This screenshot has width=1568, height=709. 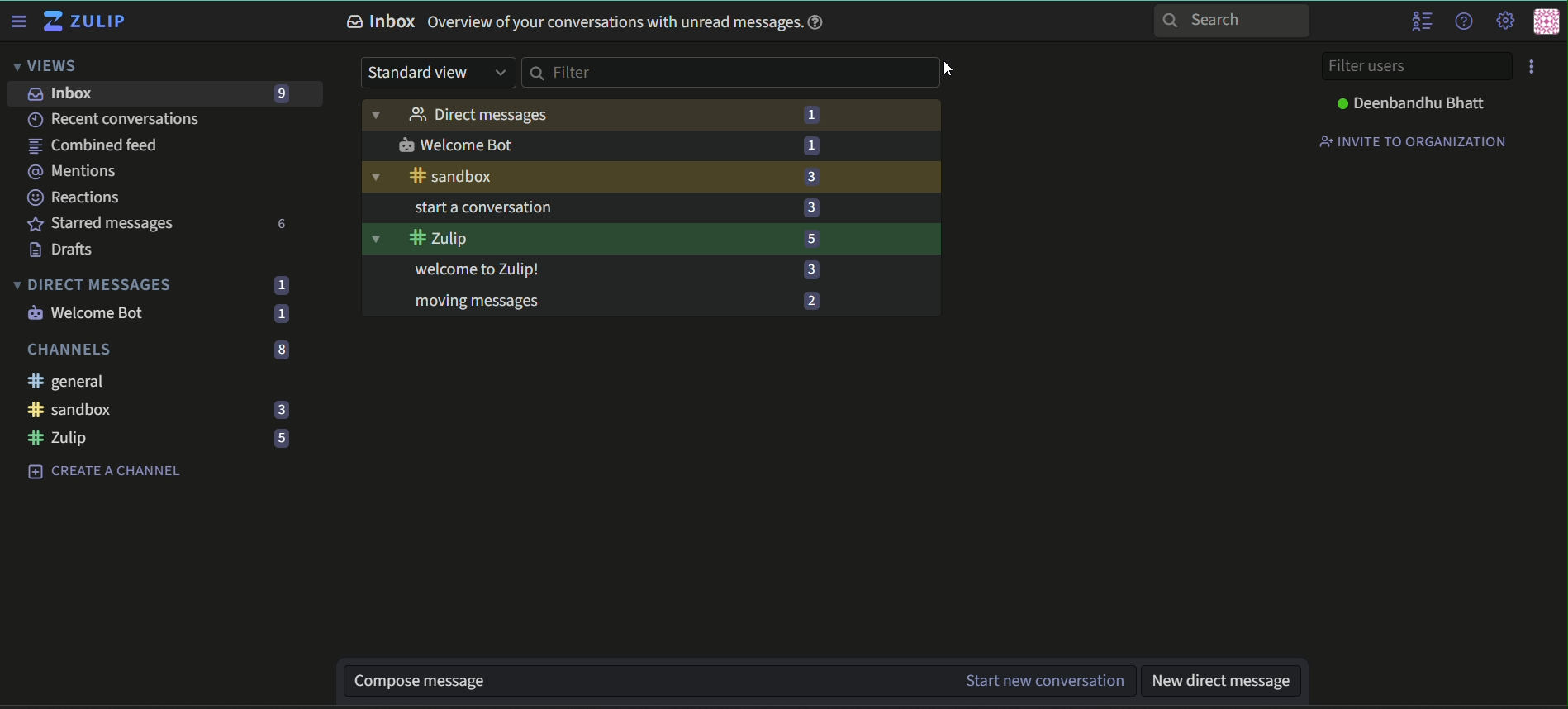 I want to click on sandbox, so click(x=578, y=240).